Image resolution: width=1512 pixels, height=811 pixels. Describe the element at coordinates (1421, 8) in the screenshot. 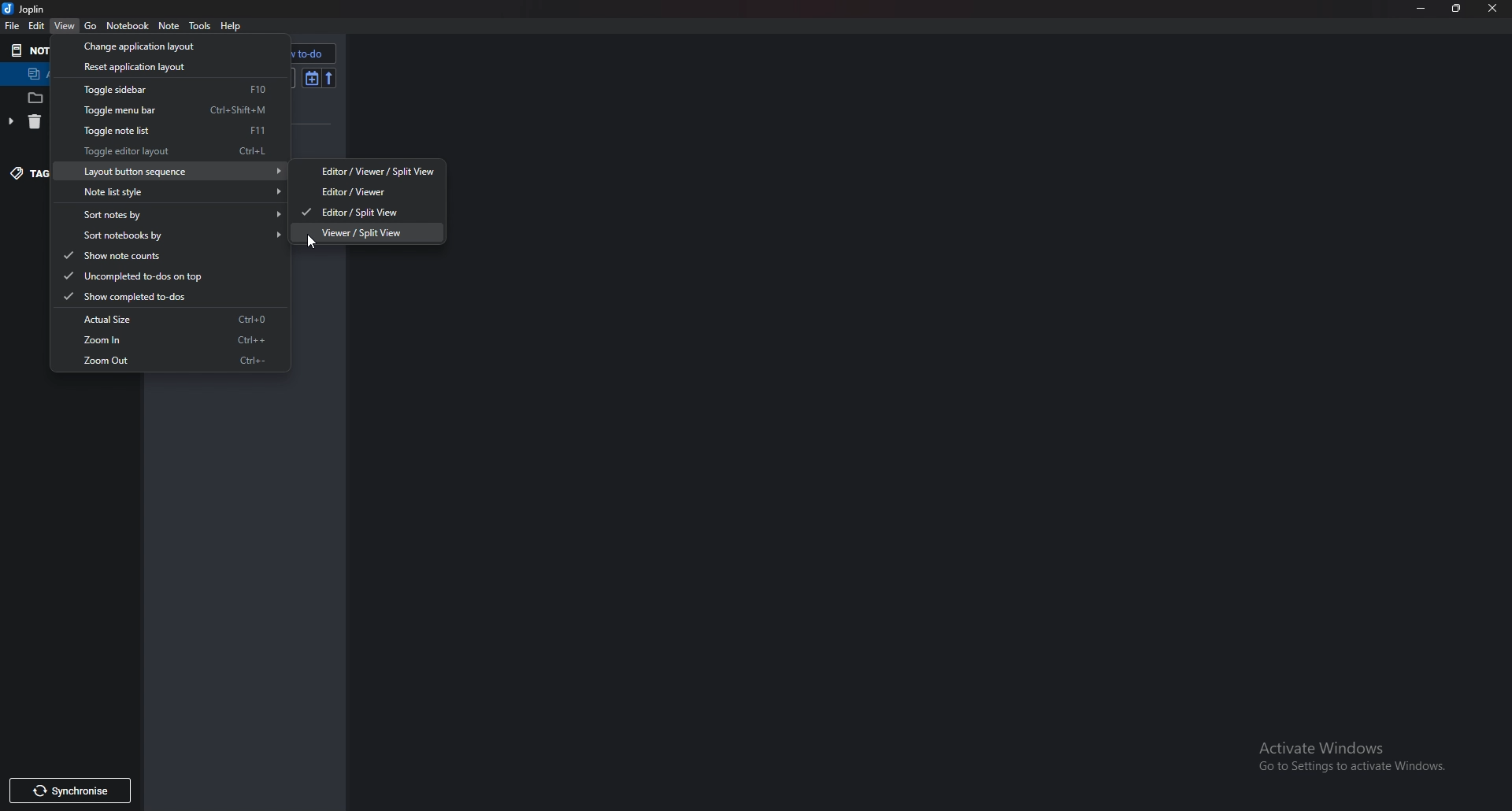

I see `Minimize` at that location.